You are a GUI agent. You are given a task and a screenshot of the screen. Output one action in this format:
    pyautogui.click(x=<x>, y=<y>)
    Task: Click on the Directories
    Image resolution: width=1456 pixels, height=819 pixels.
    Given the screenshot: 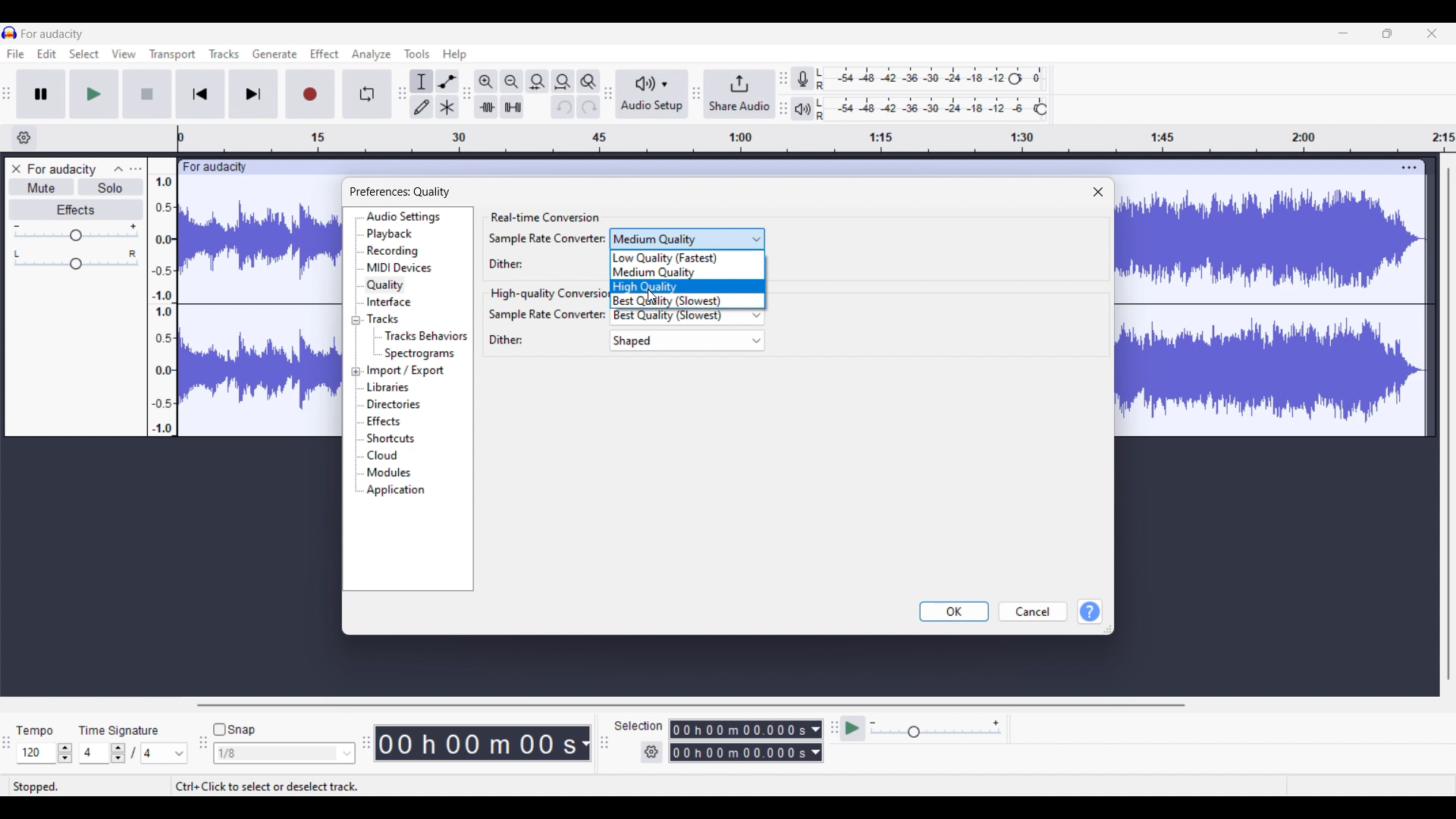 What is the action you would take?
    pyautogui.click(x=395, y=404)
    